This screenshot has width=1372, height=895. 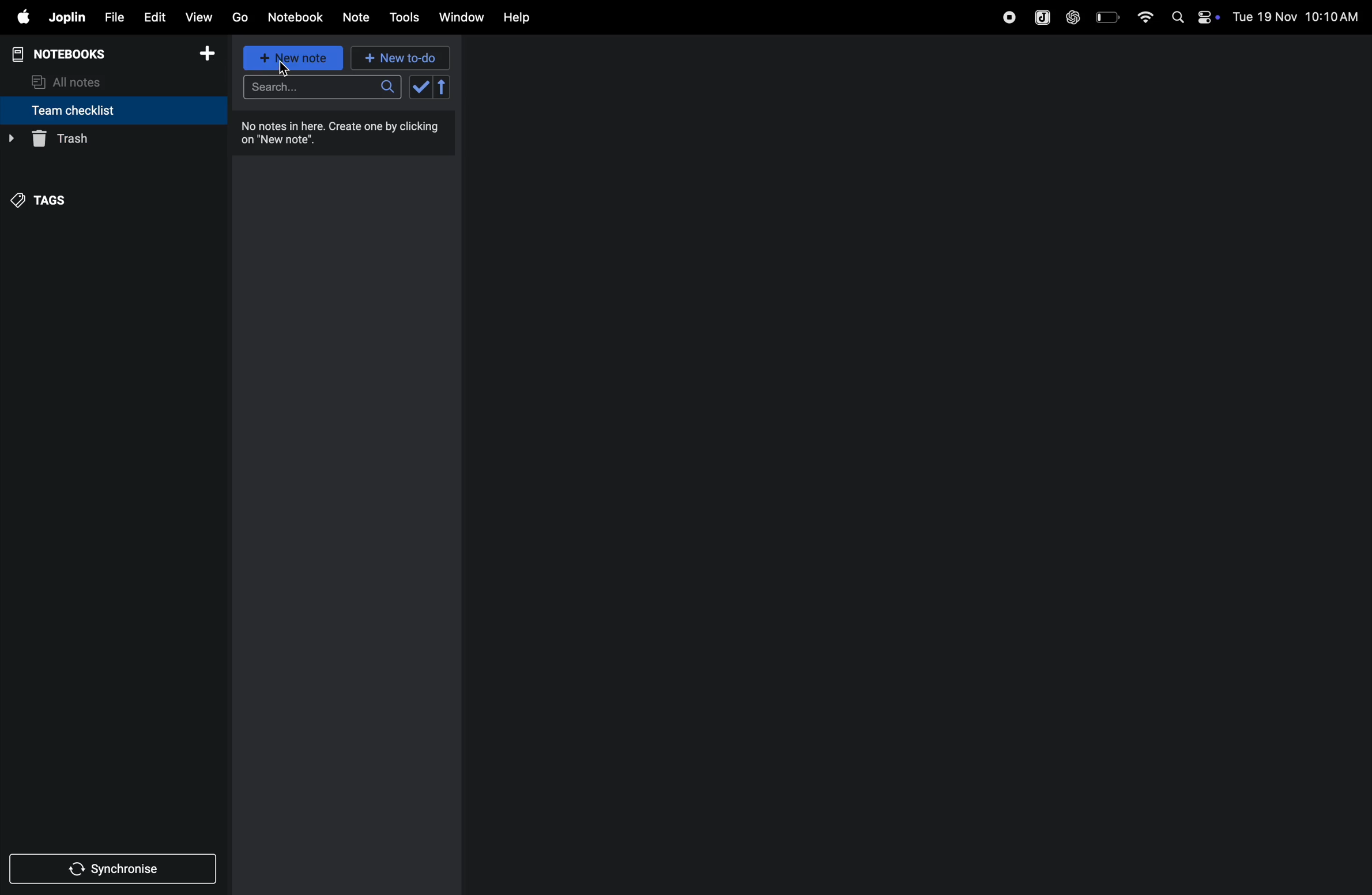 What do you see at coordinates (461, 18) in the screenshot?
I see `window` at bounding box center [461, 18].